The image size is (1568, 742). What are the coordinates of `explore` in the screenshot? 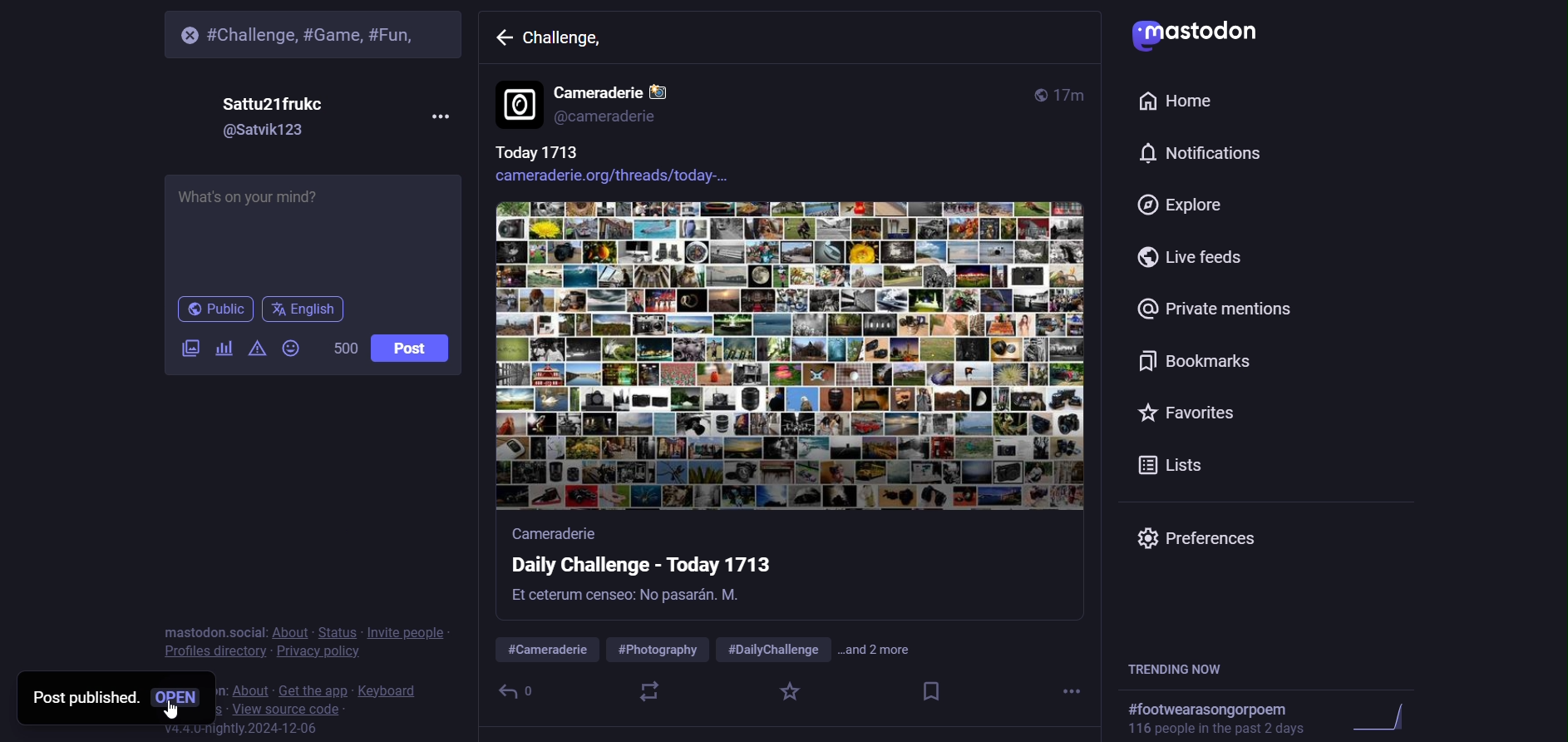 It's located at (1183, 204).